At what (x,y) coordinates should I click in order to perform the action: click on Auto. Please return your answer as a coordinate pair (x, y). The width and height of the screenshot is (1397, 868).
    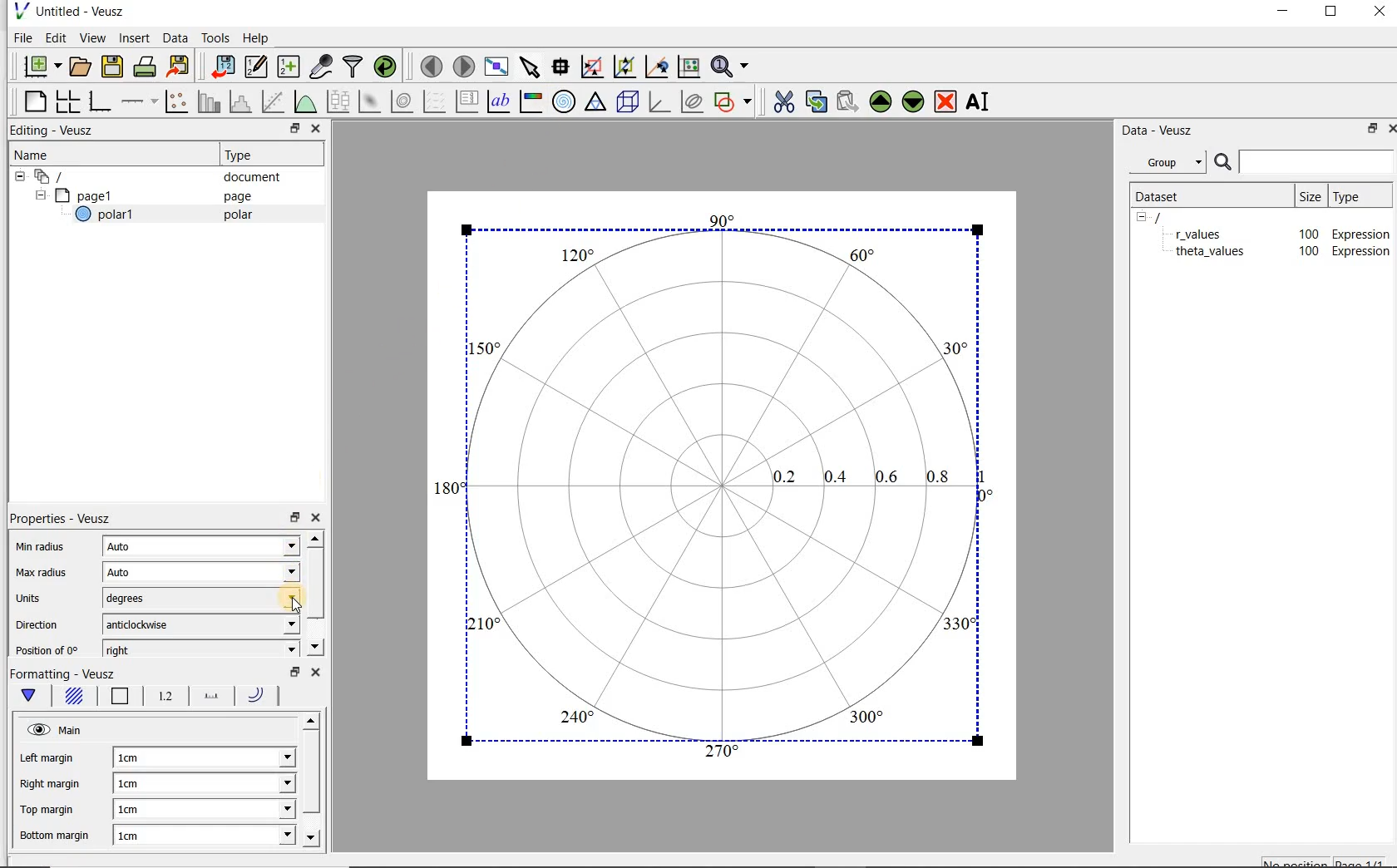
    Looking at the image, I should click on (141, 549).